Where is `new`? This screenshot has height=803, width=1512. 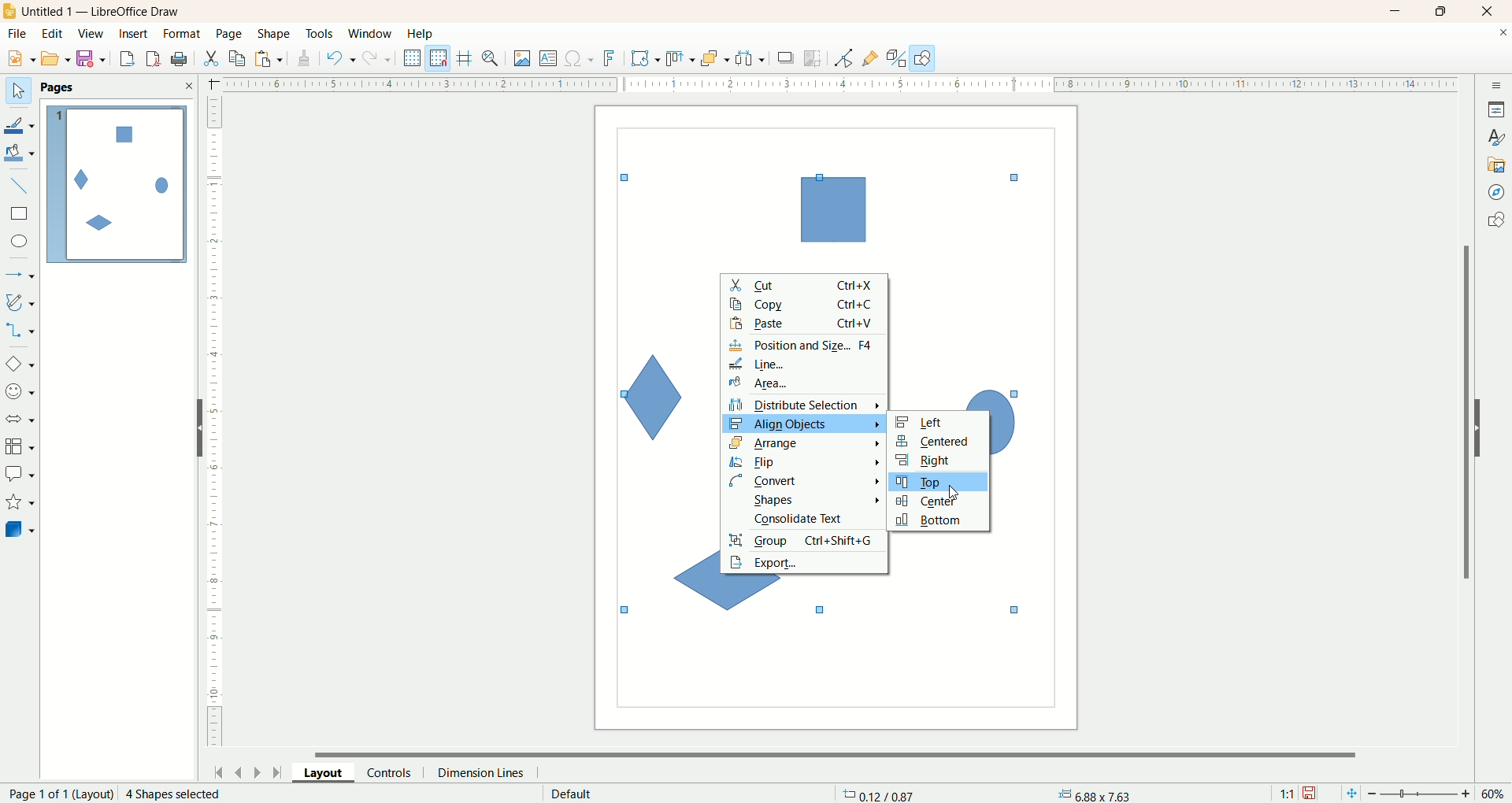 new is located at coordinates (18, 59).